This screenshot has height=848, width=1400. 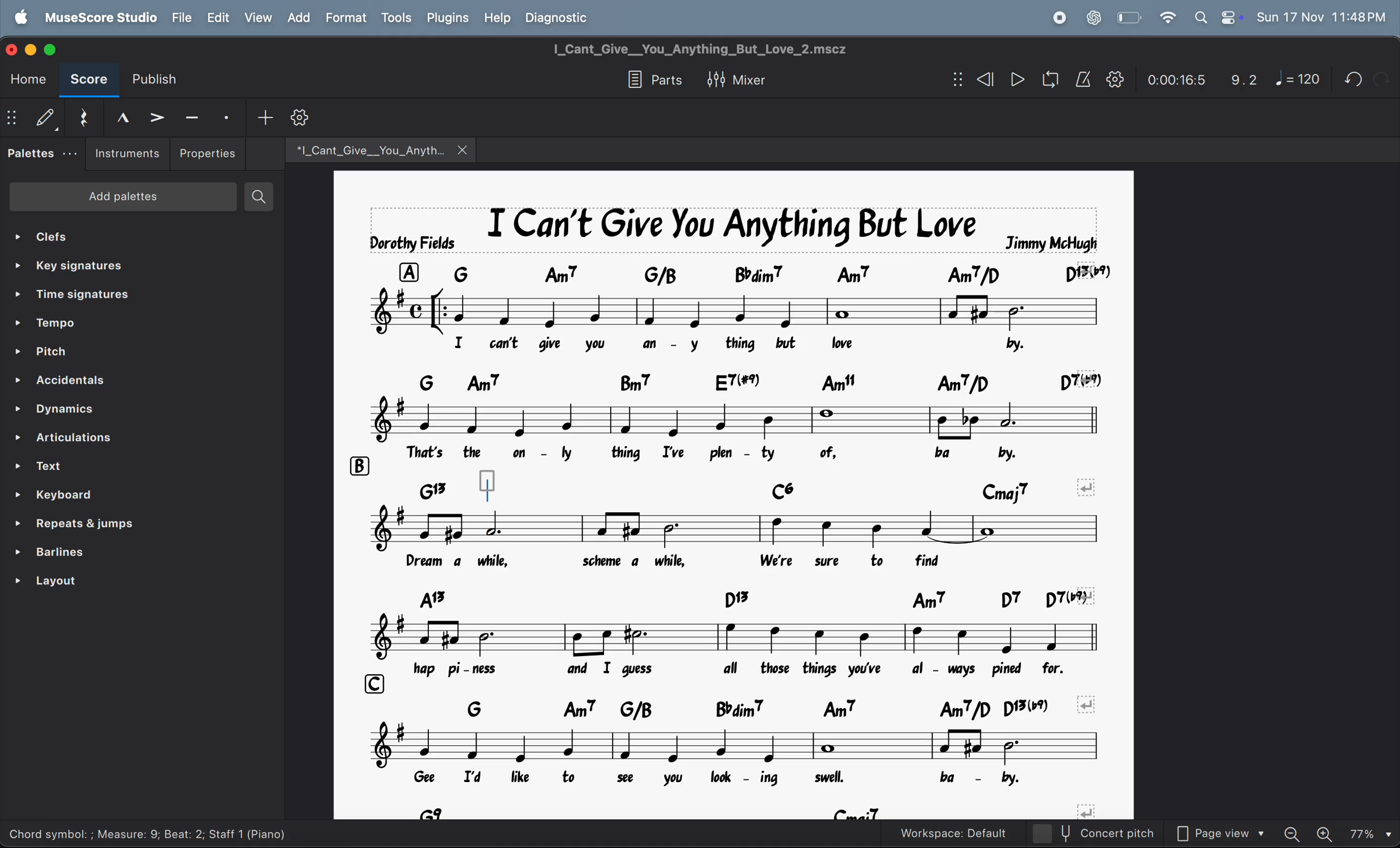 What do you see at coordinates (708, 51) in the screenshot?
I see `title` at bounding box center [708, 51].